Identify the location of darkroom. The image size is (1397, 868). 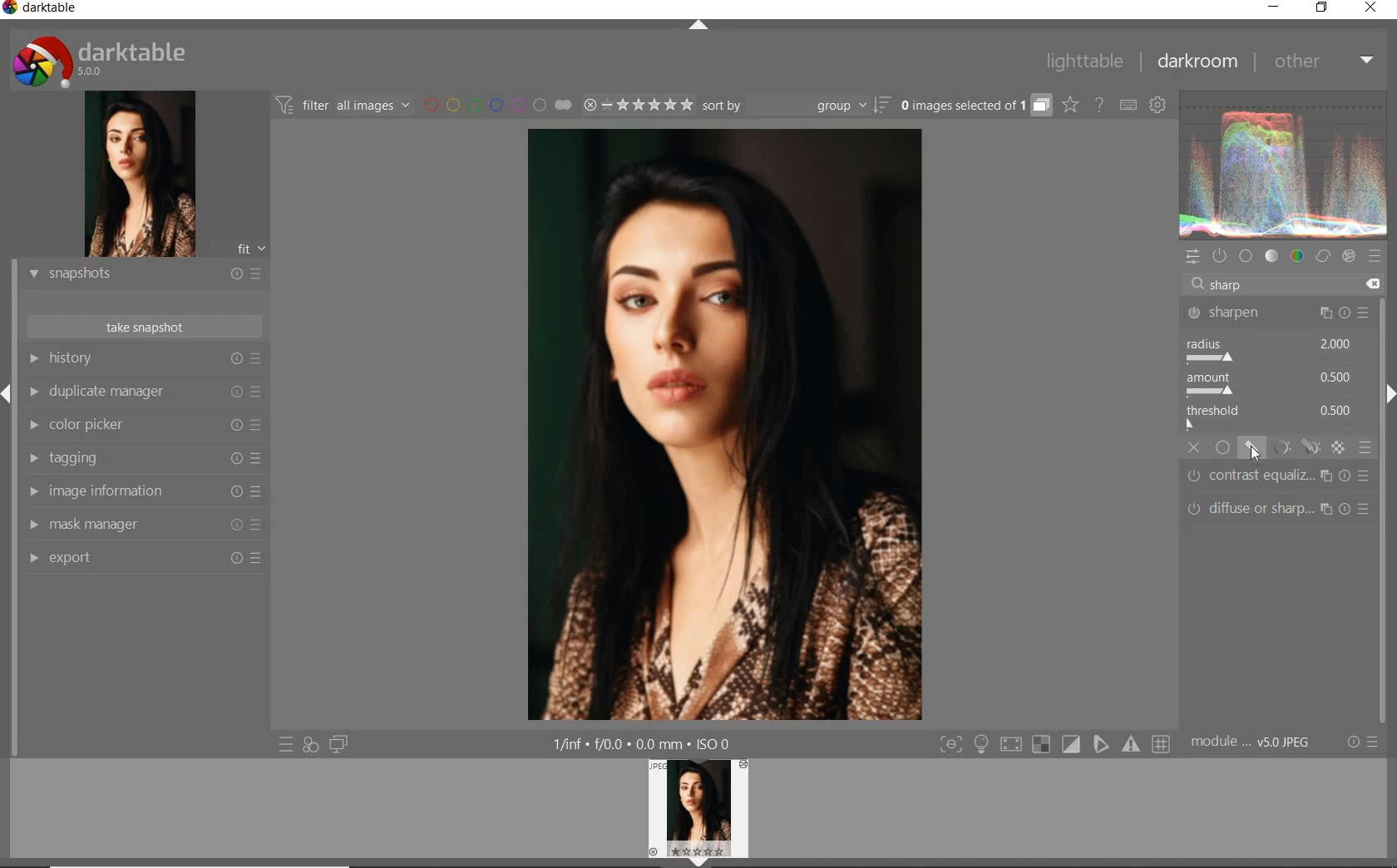
(1193, 60).